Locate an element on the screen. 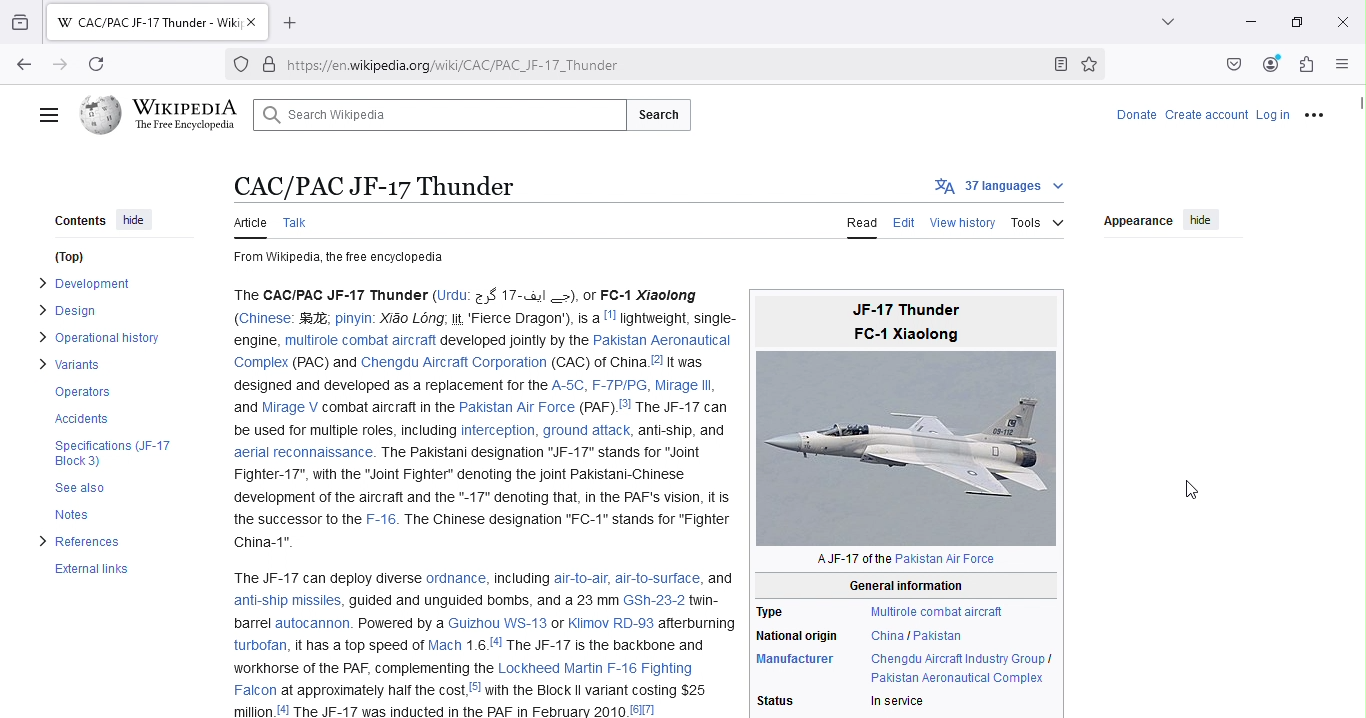 The height and width of the screenshot is (718, 1366). Accidents is located at coordinates (79, 418).